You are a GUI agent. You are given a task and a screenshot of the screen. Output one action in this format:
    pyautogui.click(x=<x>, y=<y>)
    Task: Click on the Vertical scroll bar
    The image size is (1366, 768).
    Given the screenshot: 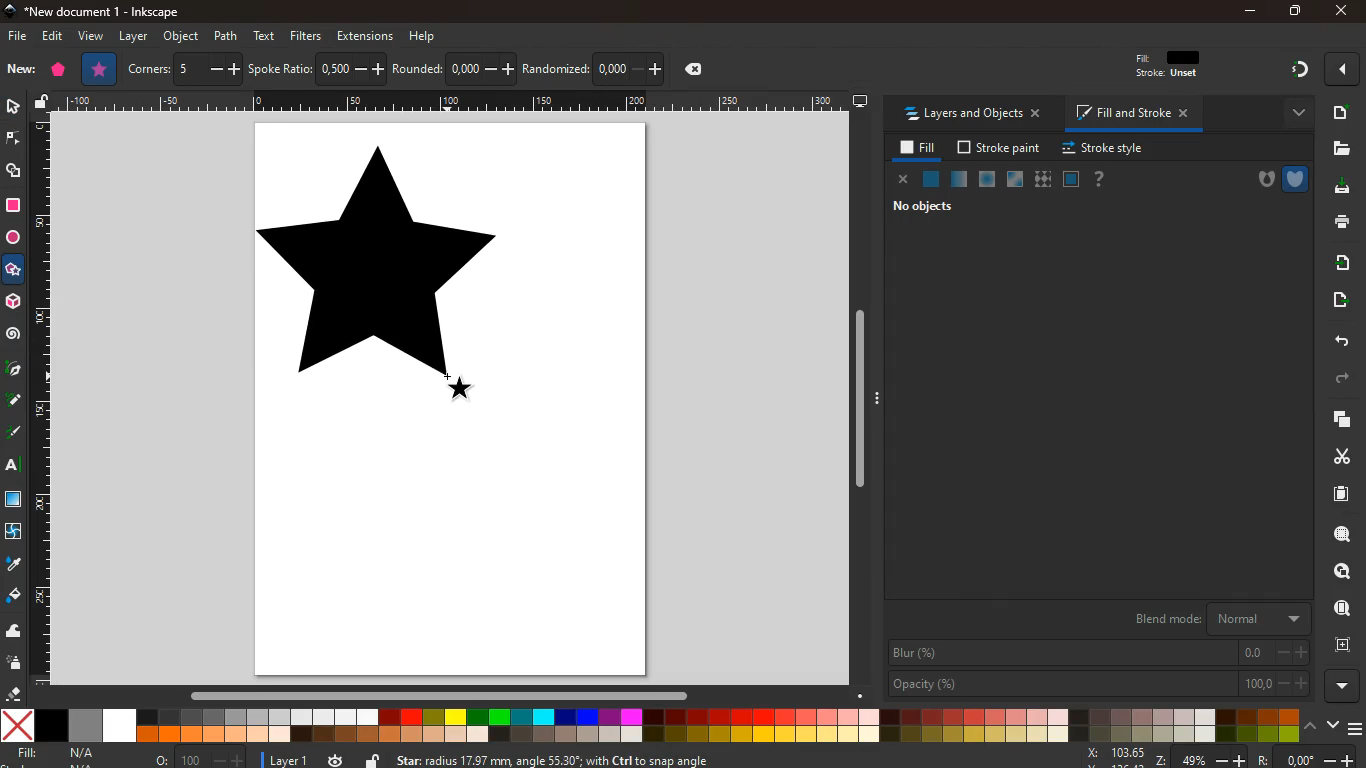 What is the action you would take?
    pyautogui.click(x=863, y=402)
    